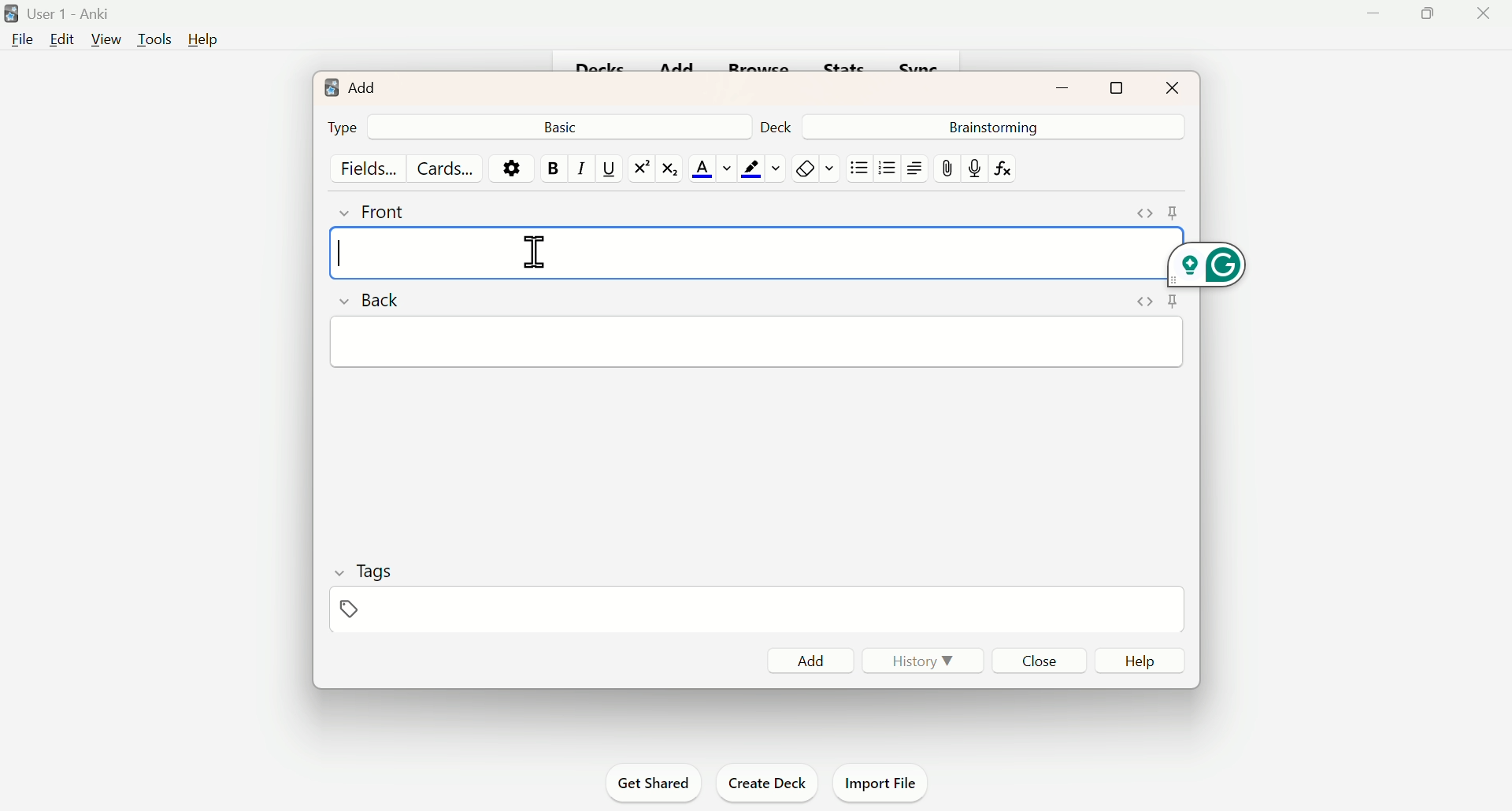 The width and height of the screenshot is (1512, 811). What do you see at coordinates (350, 128) in the screenshot?
I see `` at bounding box center [350, 128].